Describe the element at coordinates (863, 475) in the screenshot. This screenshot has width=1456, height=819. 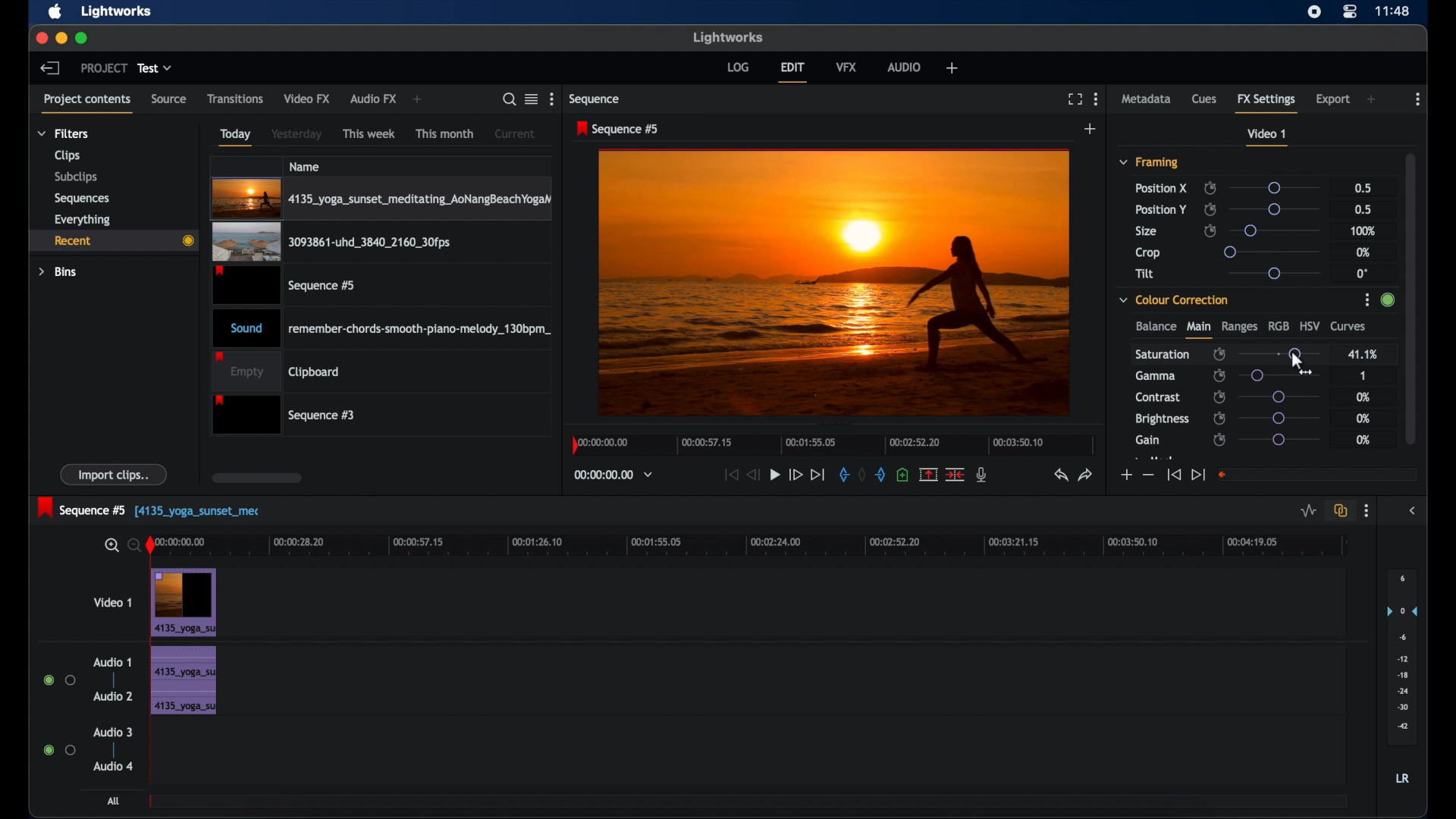
I see `clear marks` at that location.